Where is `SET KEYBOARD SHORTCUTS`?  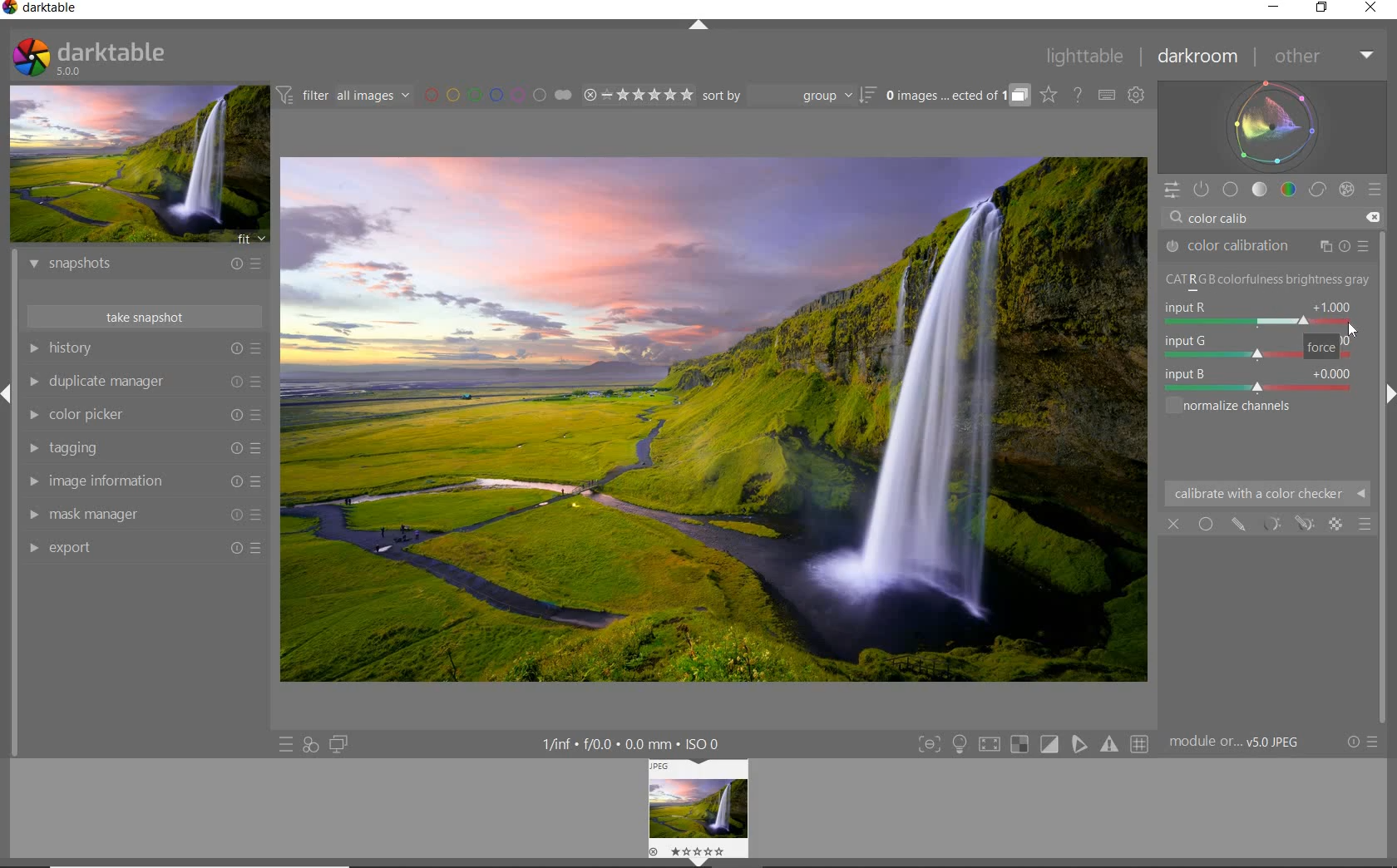 SET KEYBOARD SHORTCUTS is located at coordinates (1108, 96).